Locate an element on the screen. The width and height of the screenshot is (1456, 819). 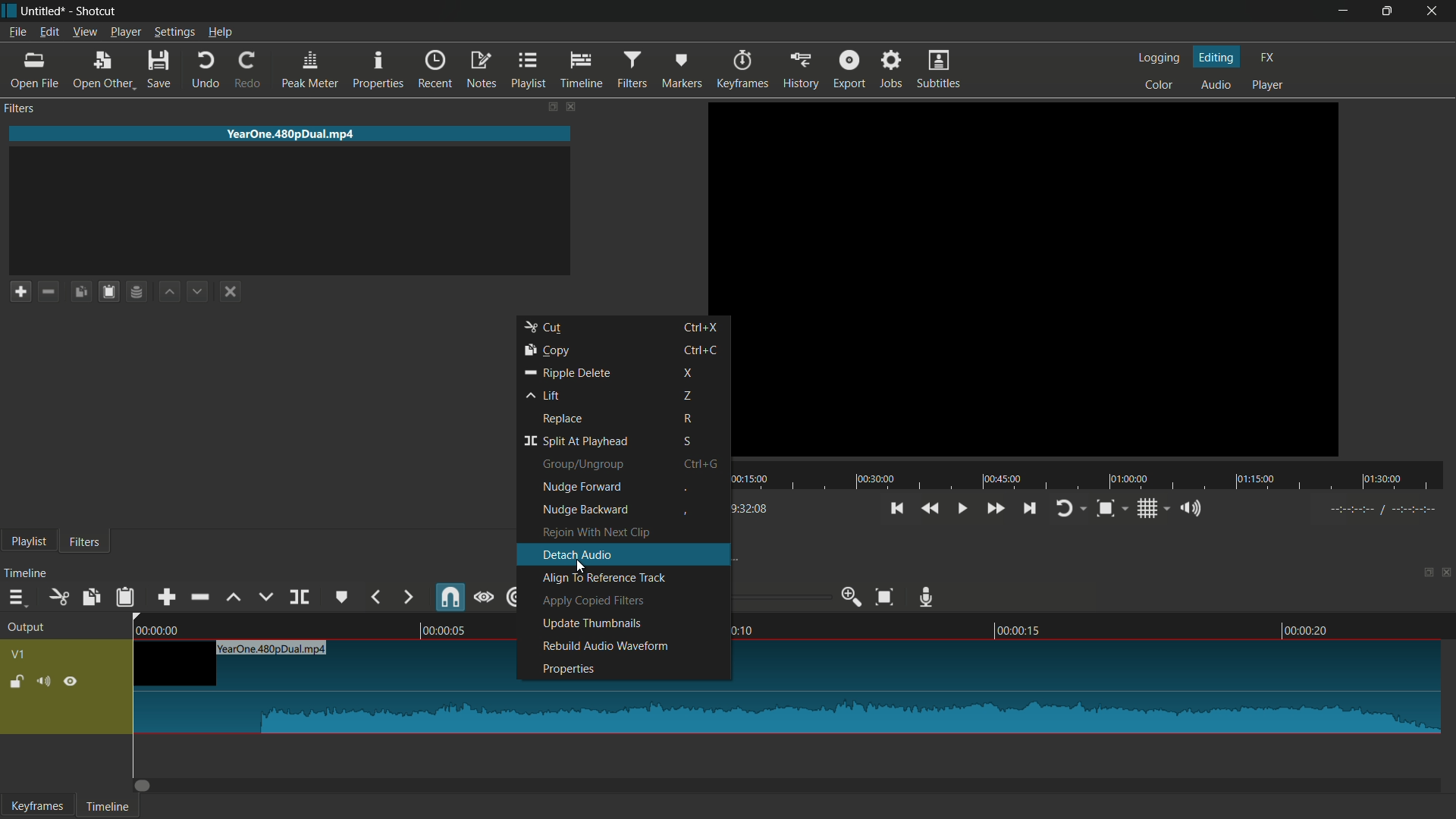
move filter down is located at coordinates (199, 290).